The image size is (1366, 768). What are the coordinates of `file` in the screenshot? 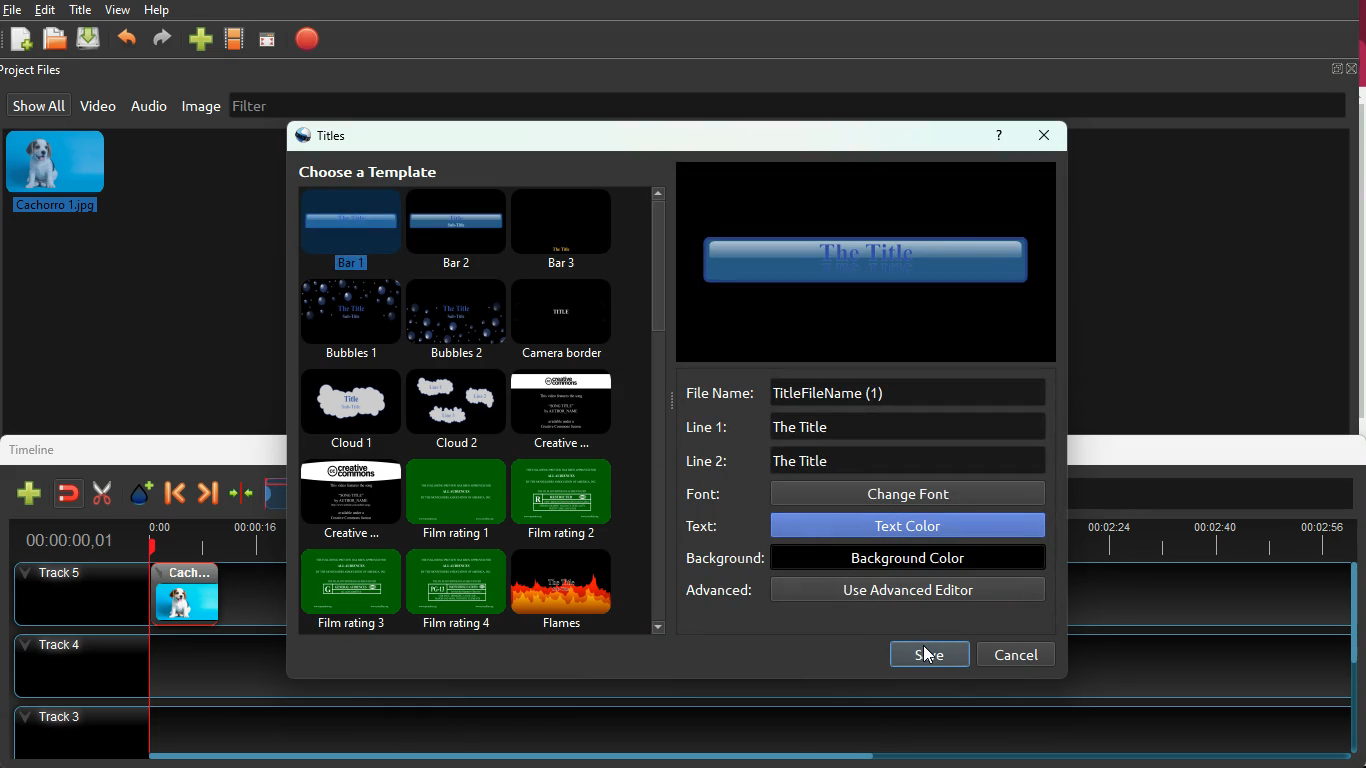 It's located at (58, 41).